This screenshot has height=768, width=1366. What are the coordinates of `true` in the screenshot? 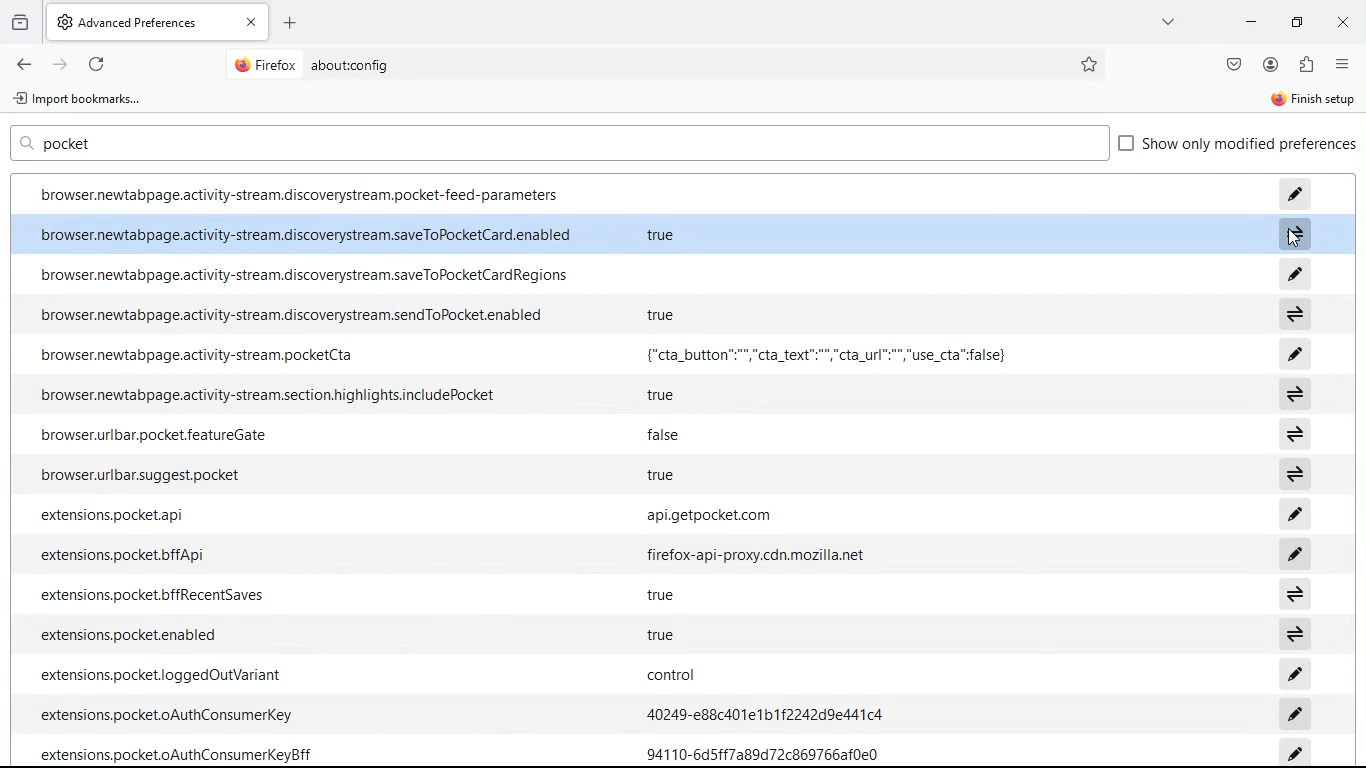 It's located at (657, 473).